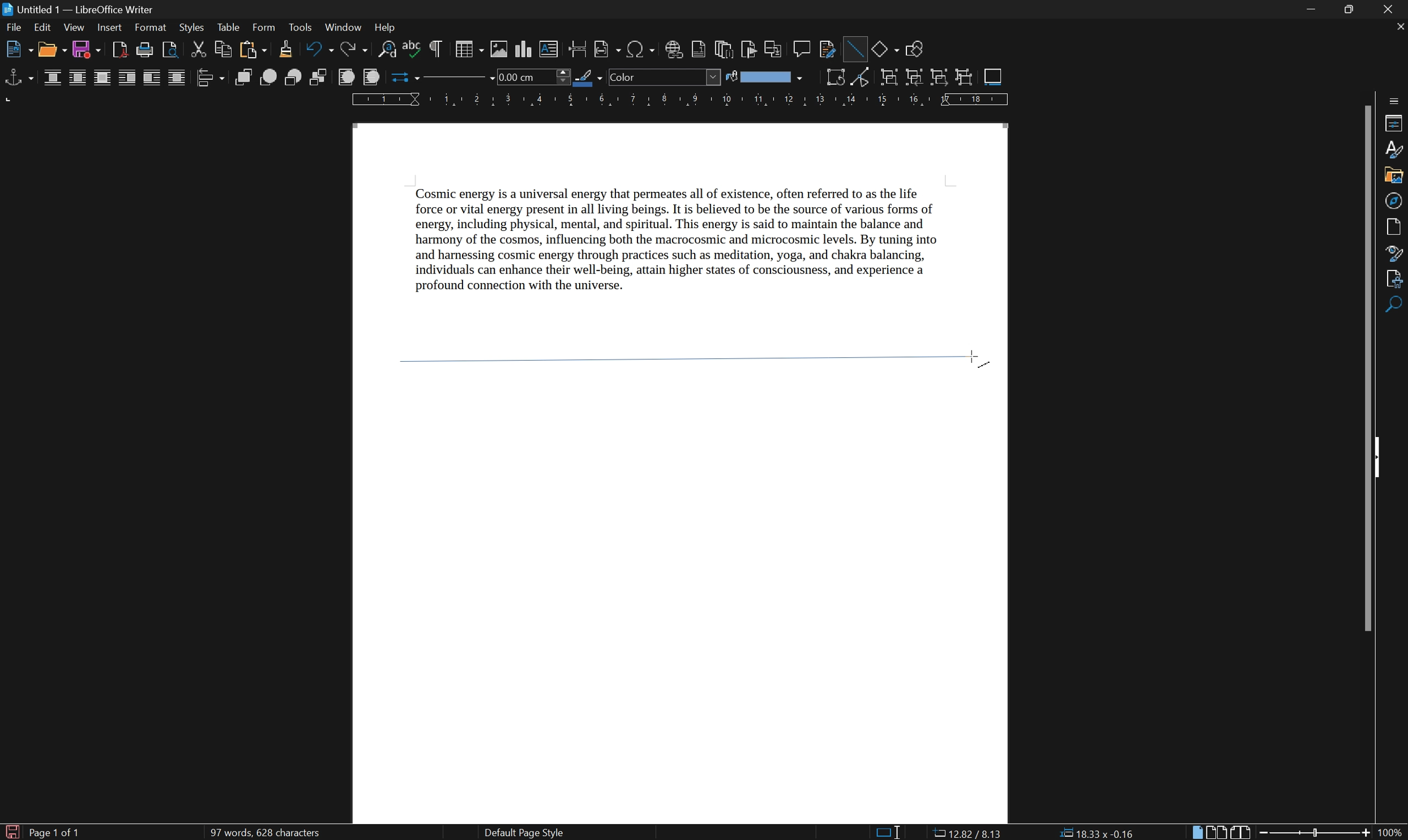 The image size is (1408, 840). I want to click on rotate, so click(836, 77).